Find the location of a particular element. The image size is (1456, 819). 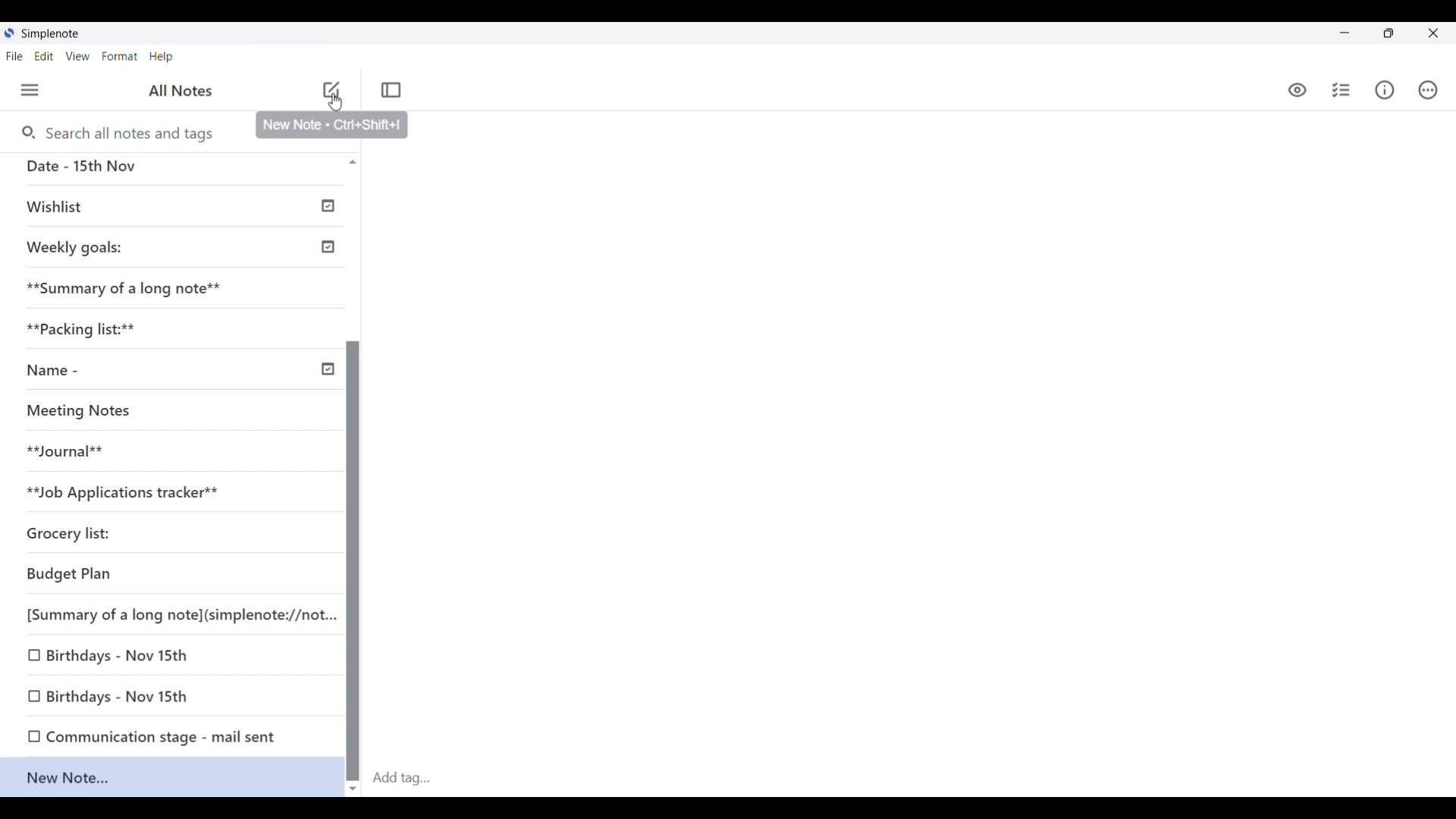

Name - is located at coordinates (61, 370).